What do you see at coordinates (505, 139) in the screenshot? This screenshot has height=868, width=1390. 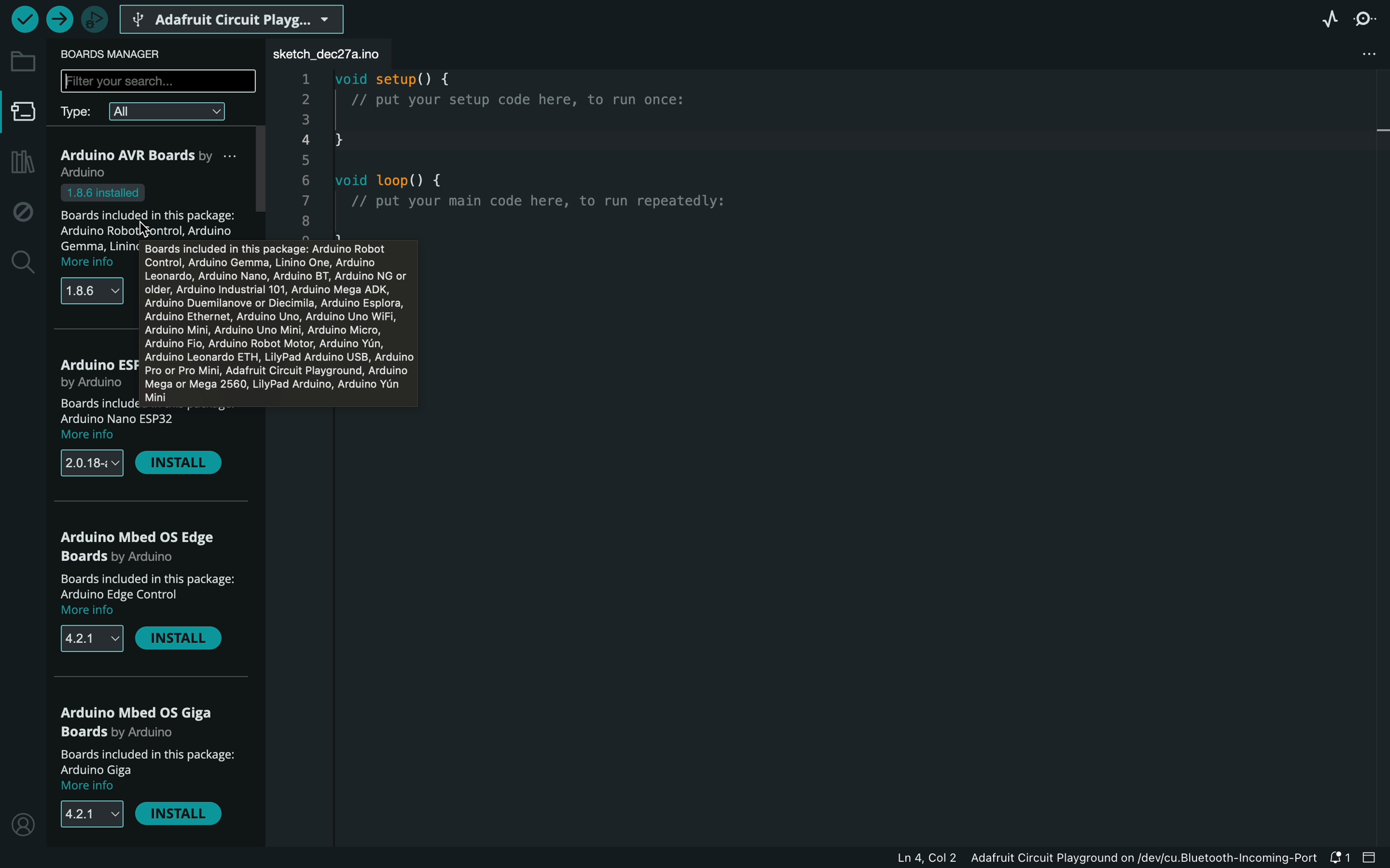 I see `code` at bounding box center [505, 139].